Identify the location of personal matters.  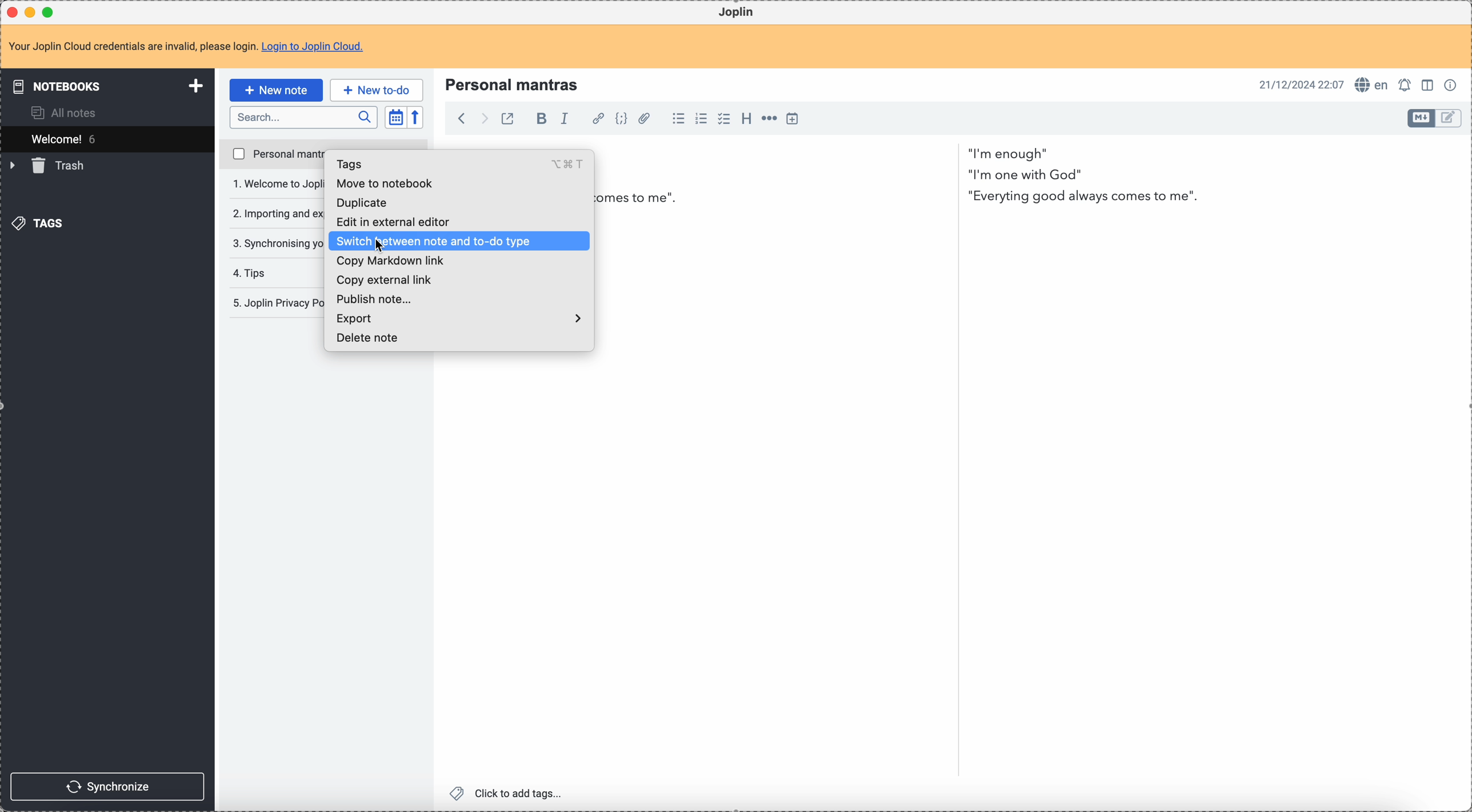
(275, 153).